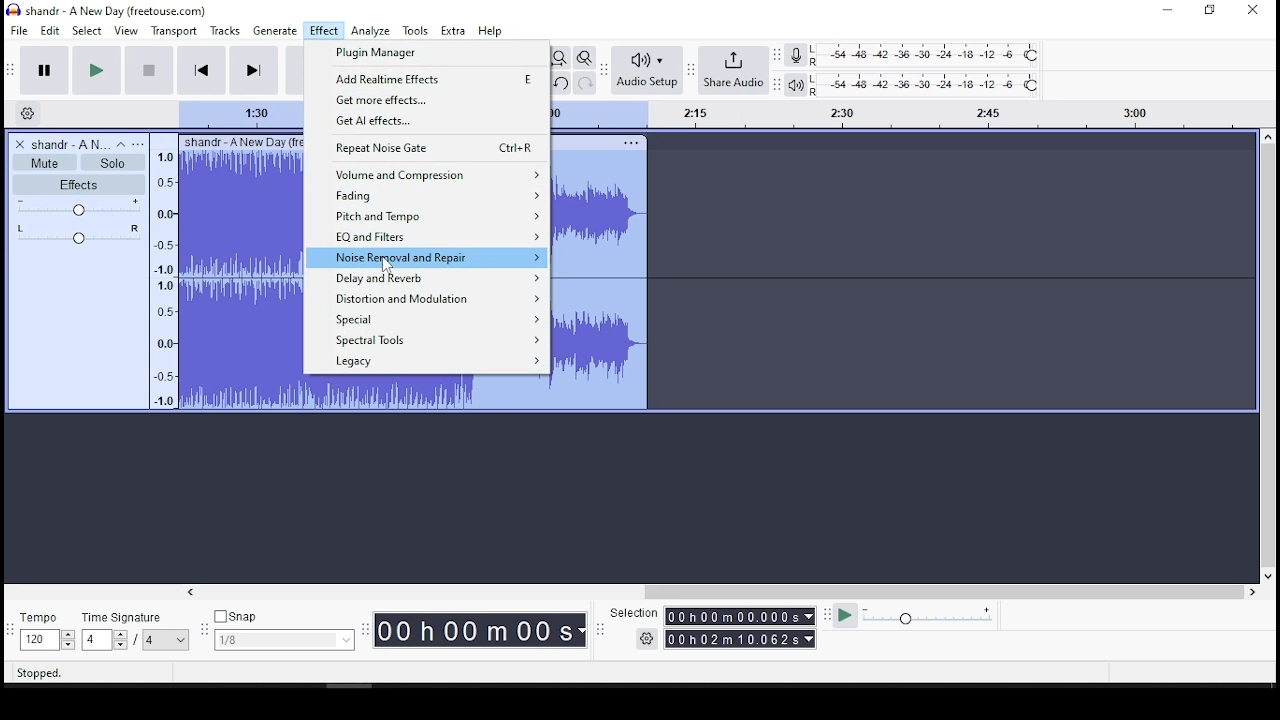 The width and height of the screenshot is (1280, 720). Describe the element at coordinates (424, 278) in the screenshot. I see `delay and reverb` at that location.